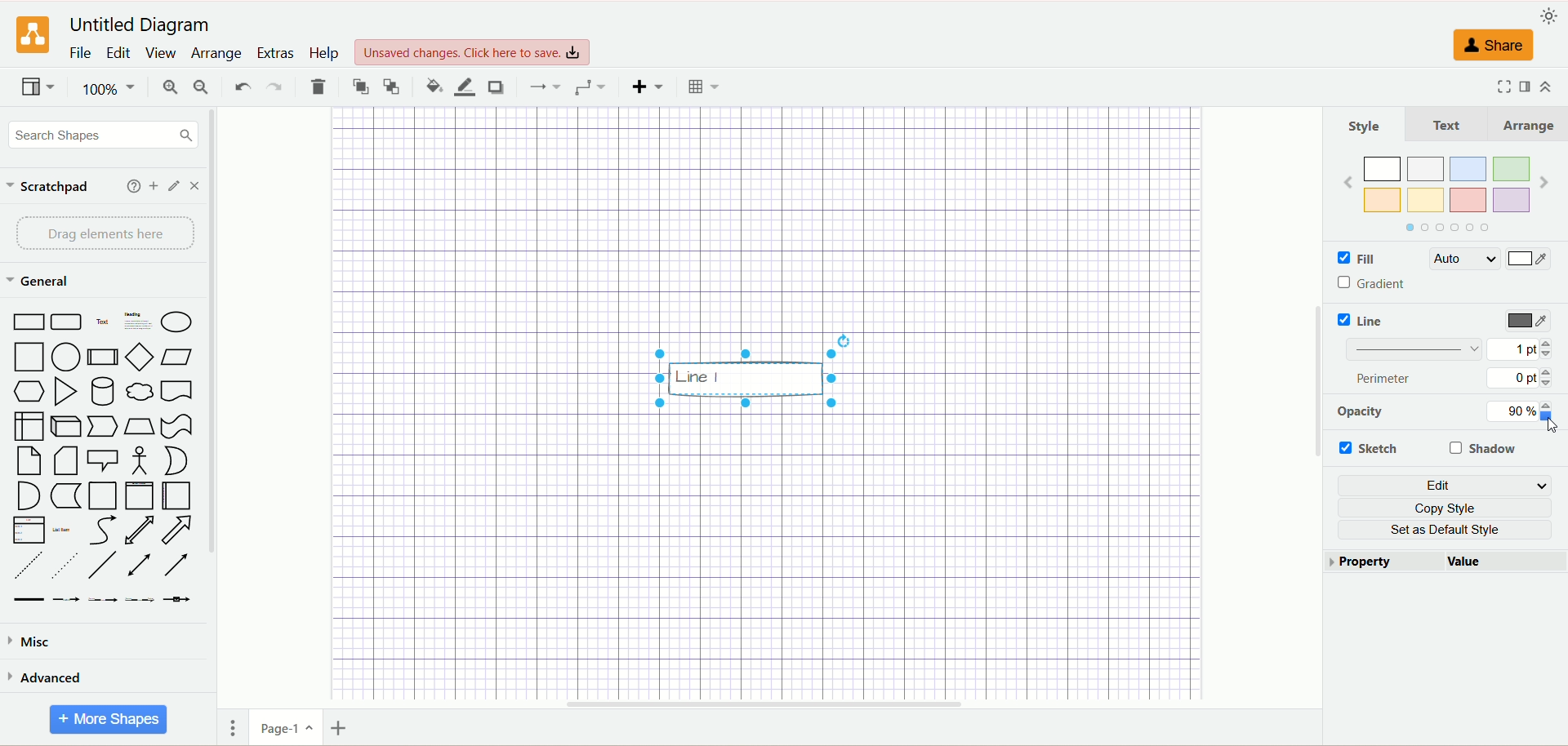 This screenshot has width=1568, height=746. Describe the element at coordinates (50, 676) in the screenshot. I see `advanced` at that location.